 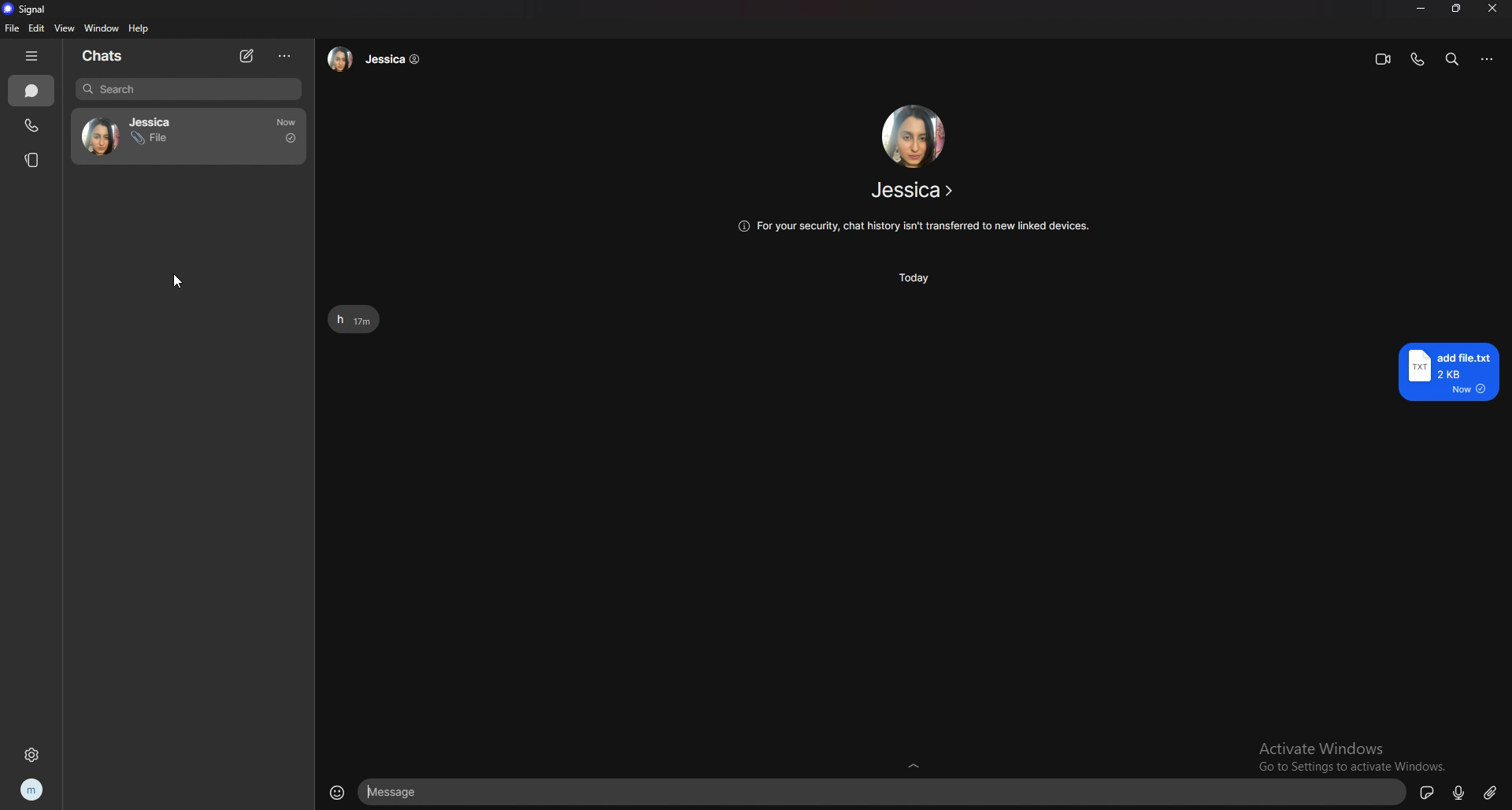 What do you see at coordinates (1488, 59) in the screenshot?
I see `options` at bounding box center [1488, 59].